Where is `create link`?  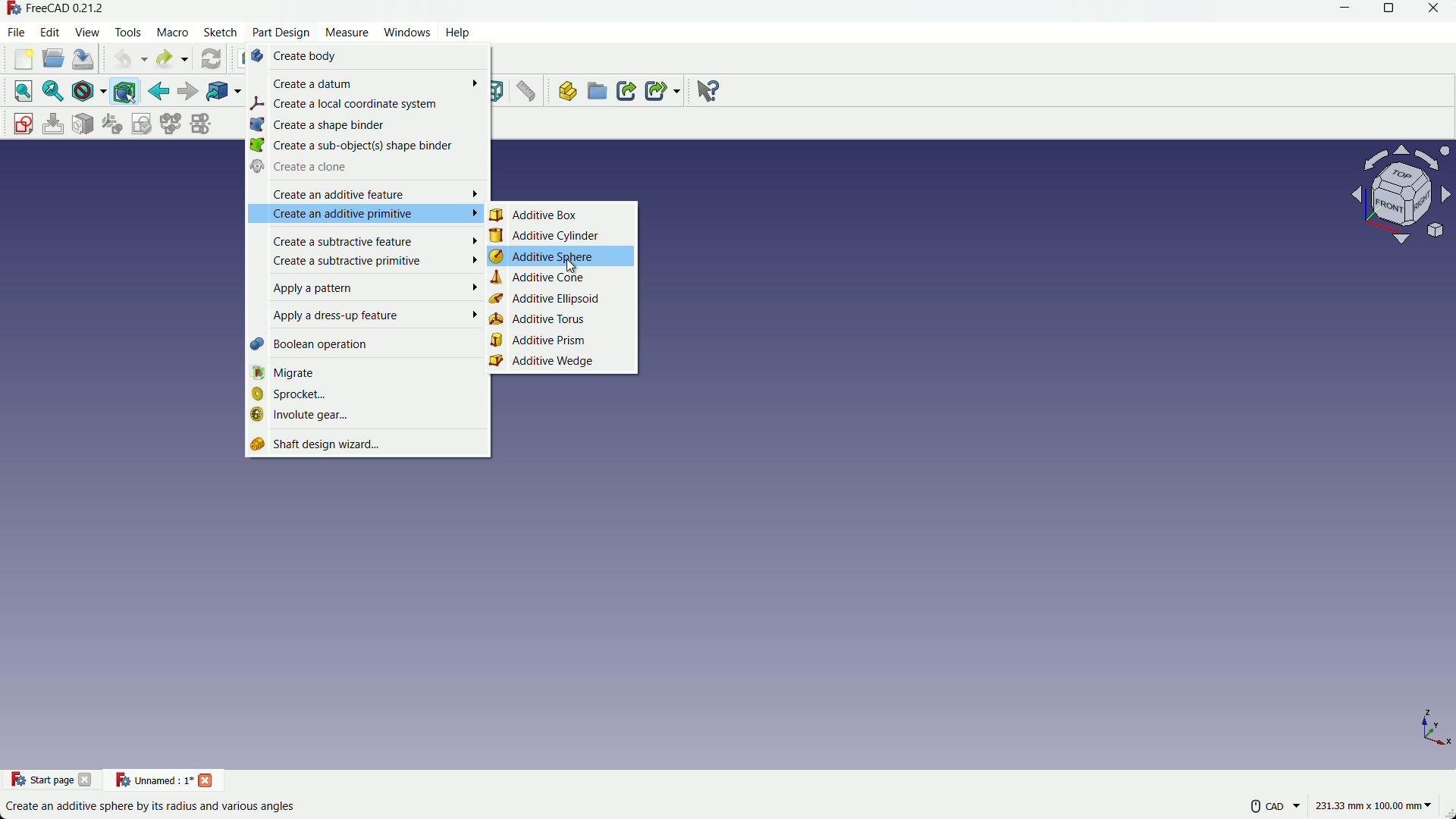 create link is located at coordinates (626, 91).